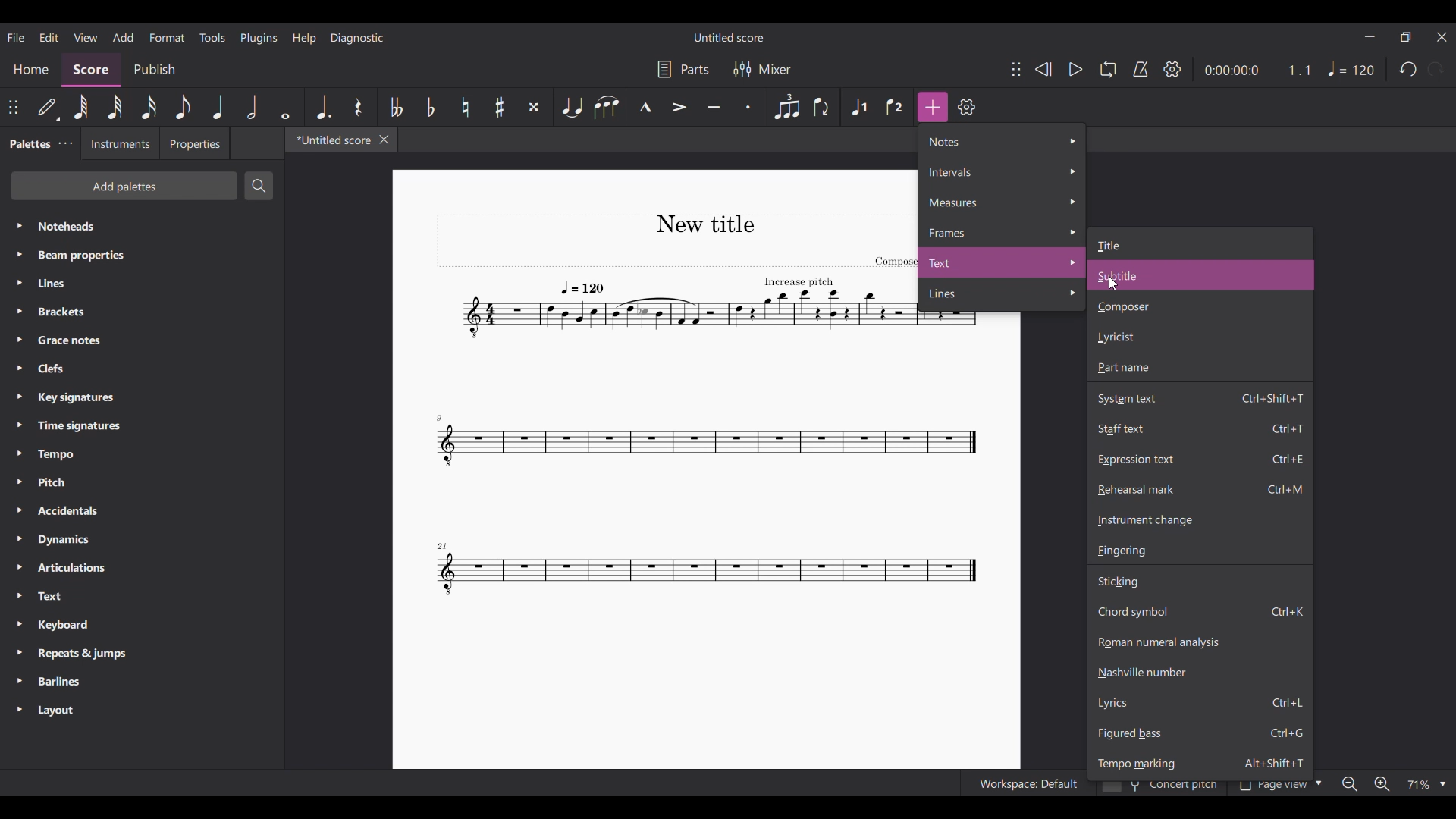 This screenshot has height=819, width=1456. I want to click on Marcato, so click(645, 108).